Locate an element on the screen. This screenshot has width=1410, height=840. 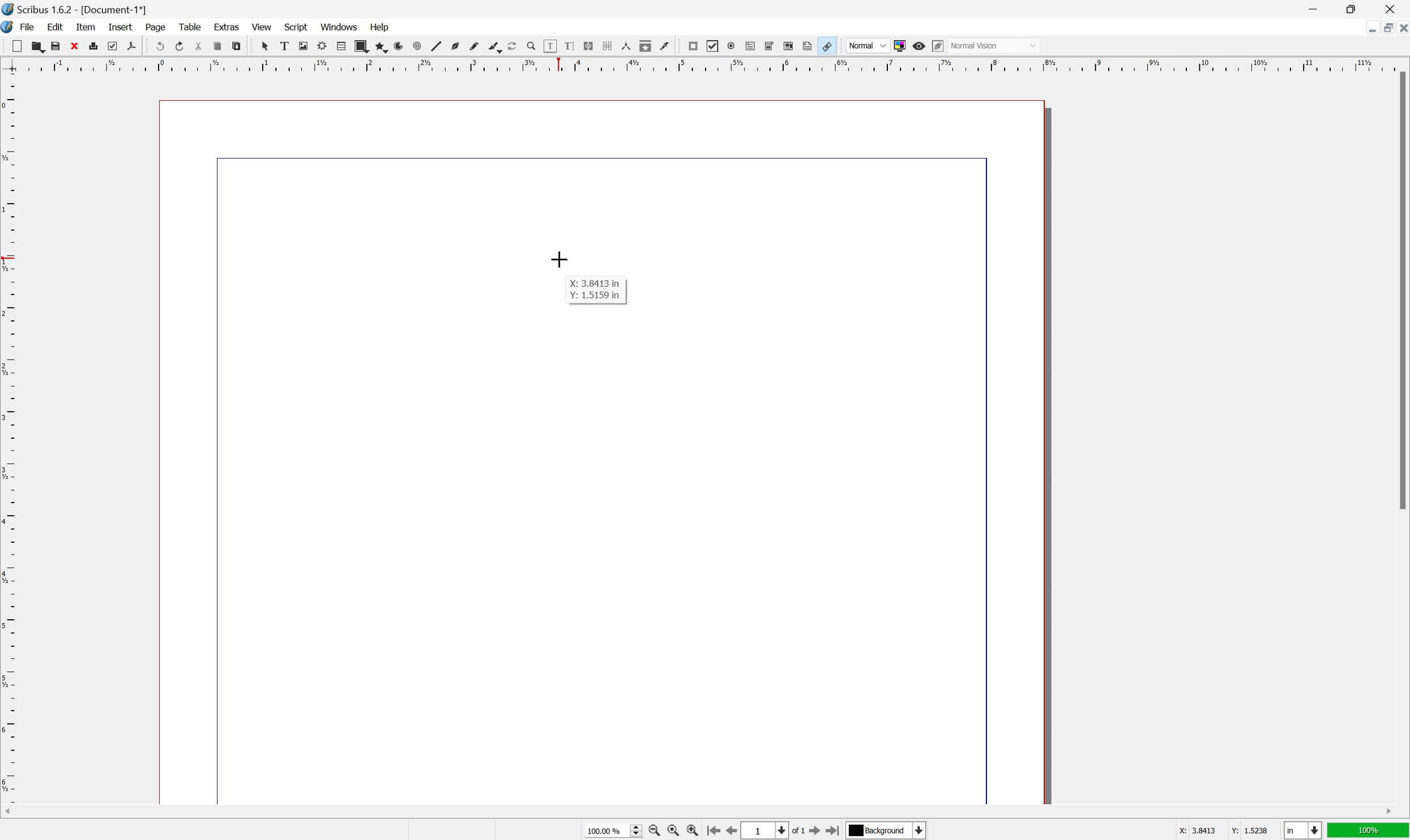
line is located at coordinates (437, 46).